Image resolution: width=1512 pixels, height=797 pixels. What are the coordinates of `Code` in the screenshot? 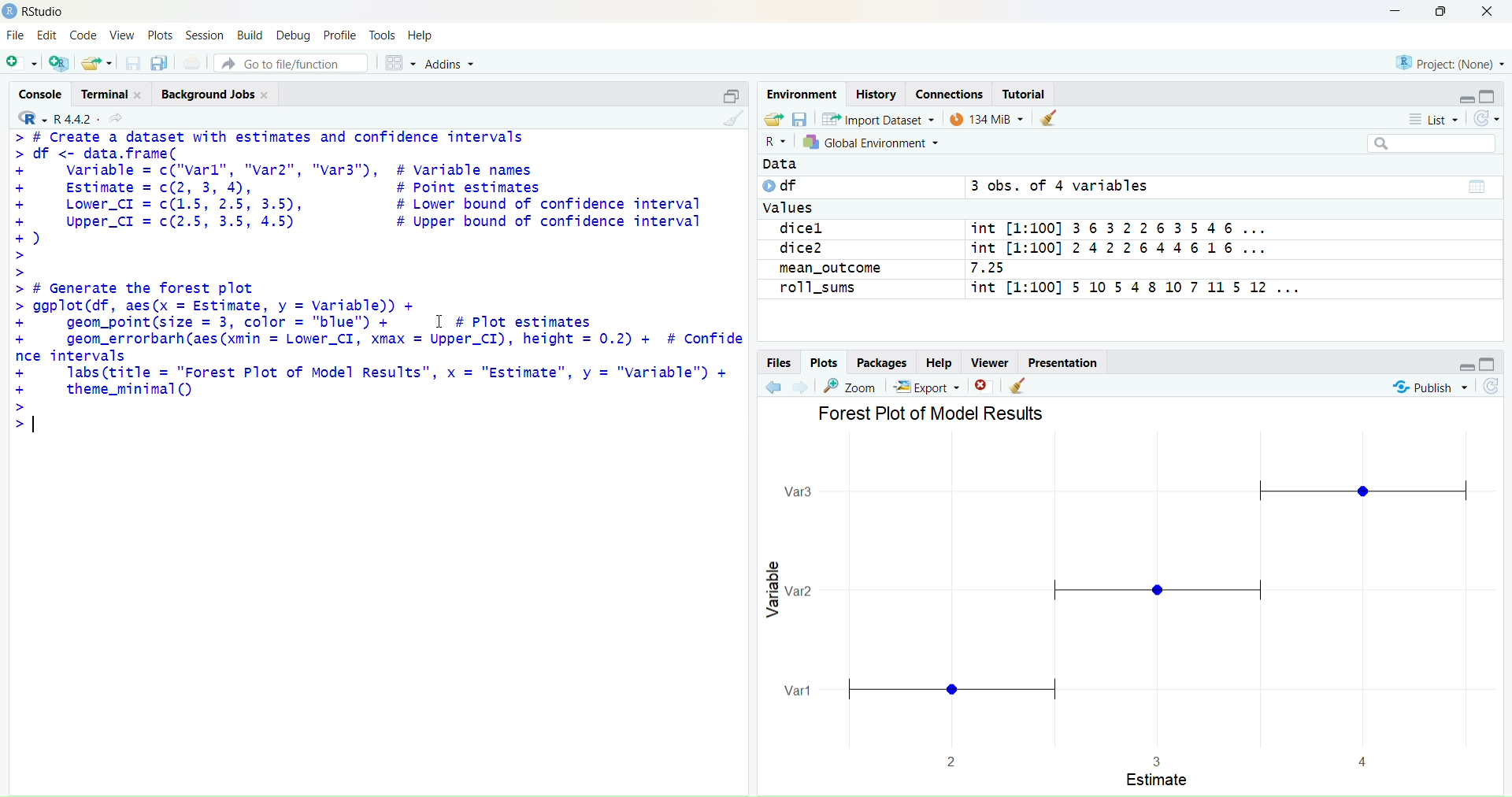 It's located at (82, 35).